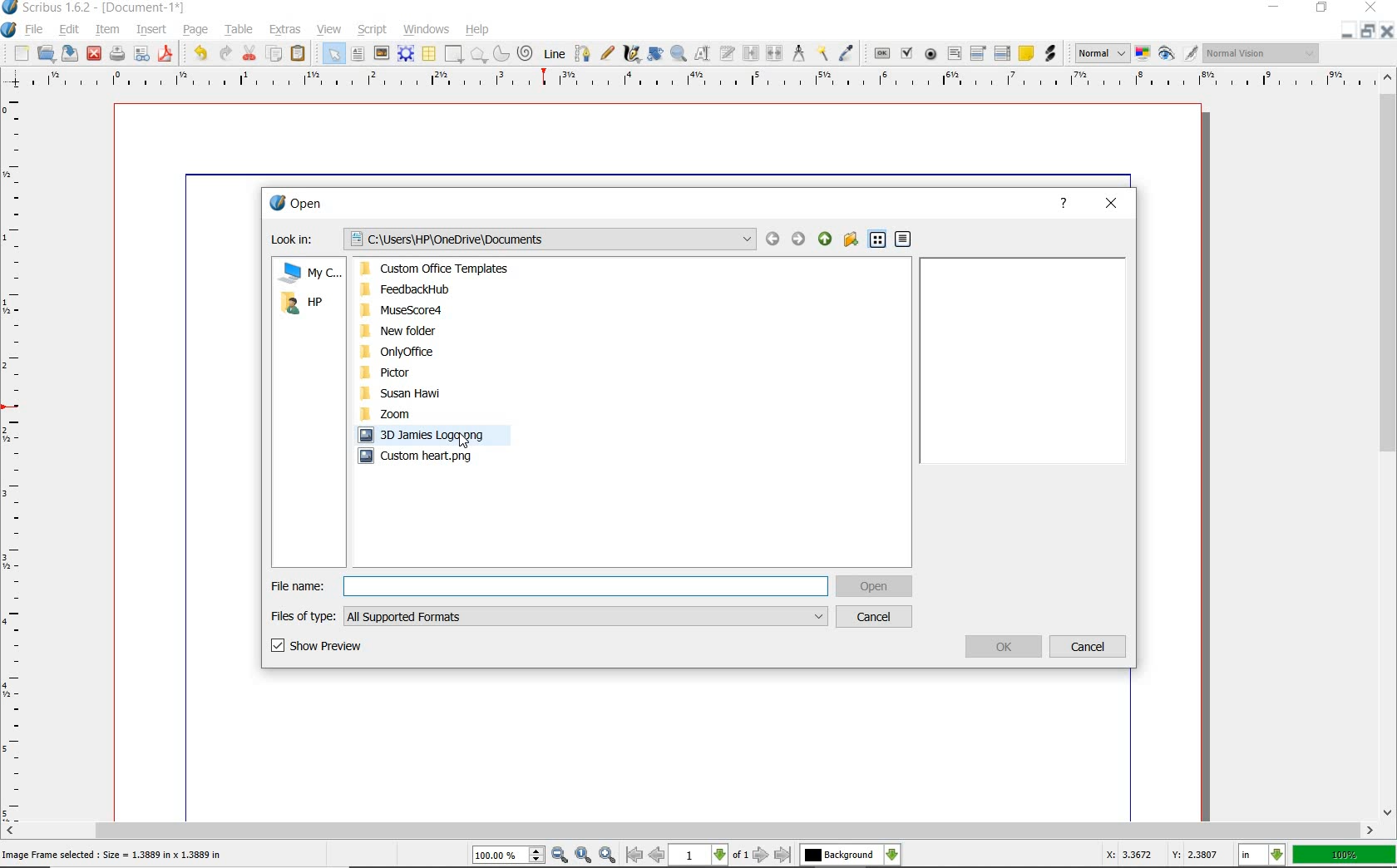  I want to click on Close, so click(1389, 31).